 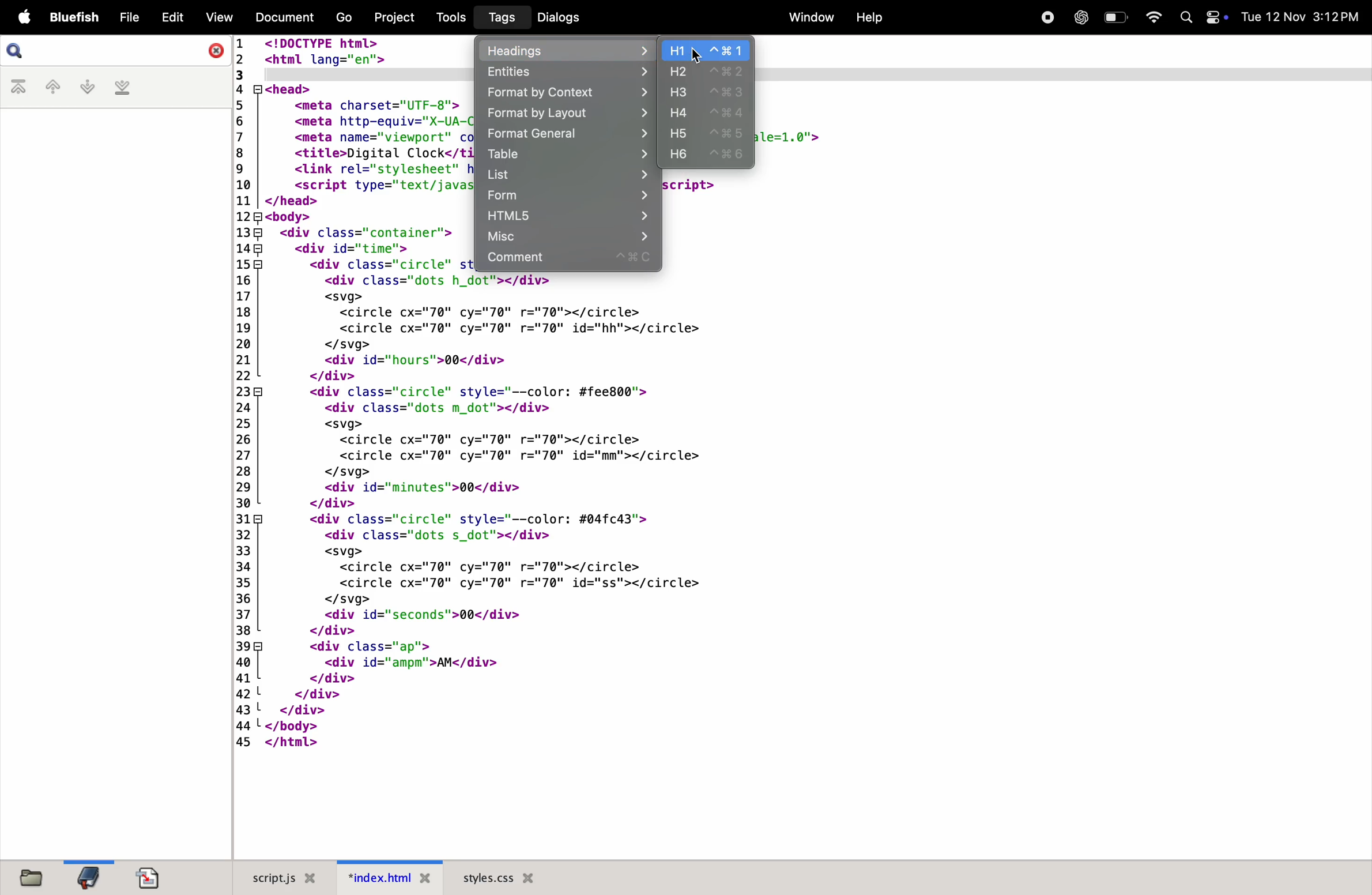 I want to click on list, so click(x=567, y=175).